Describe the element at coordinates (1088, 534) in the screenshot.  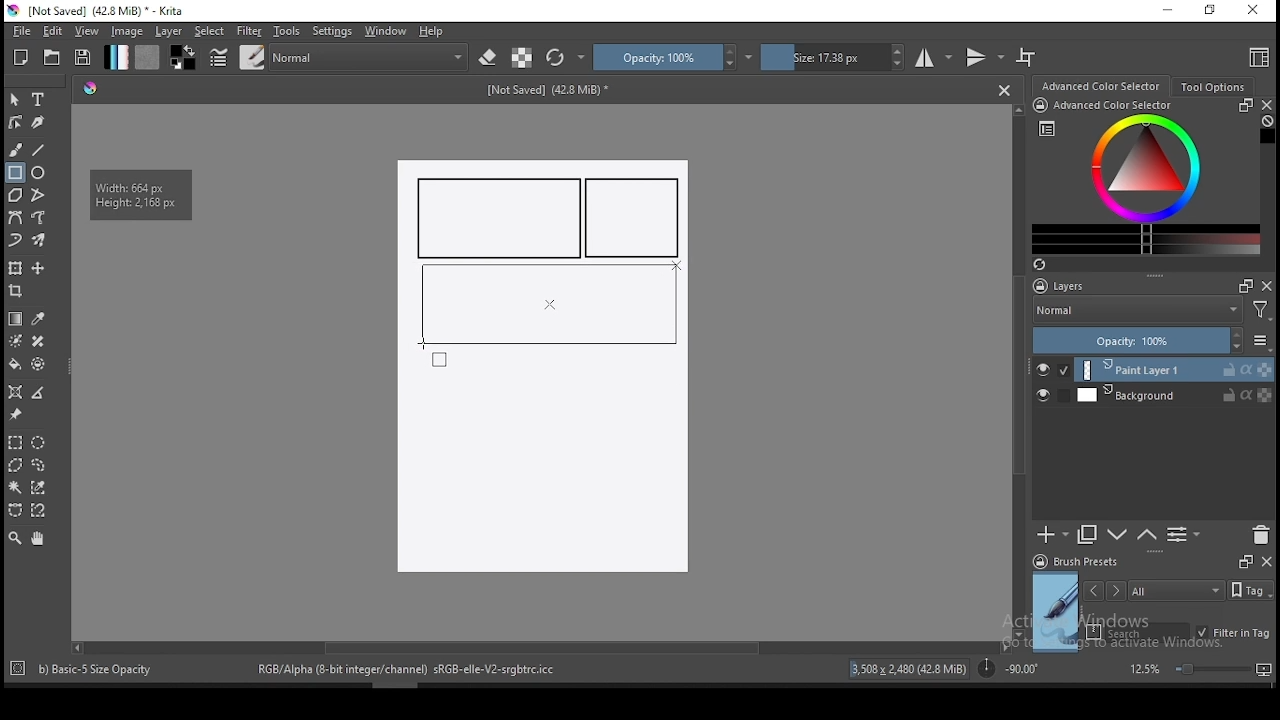
I see `duplicate layer` at that location.